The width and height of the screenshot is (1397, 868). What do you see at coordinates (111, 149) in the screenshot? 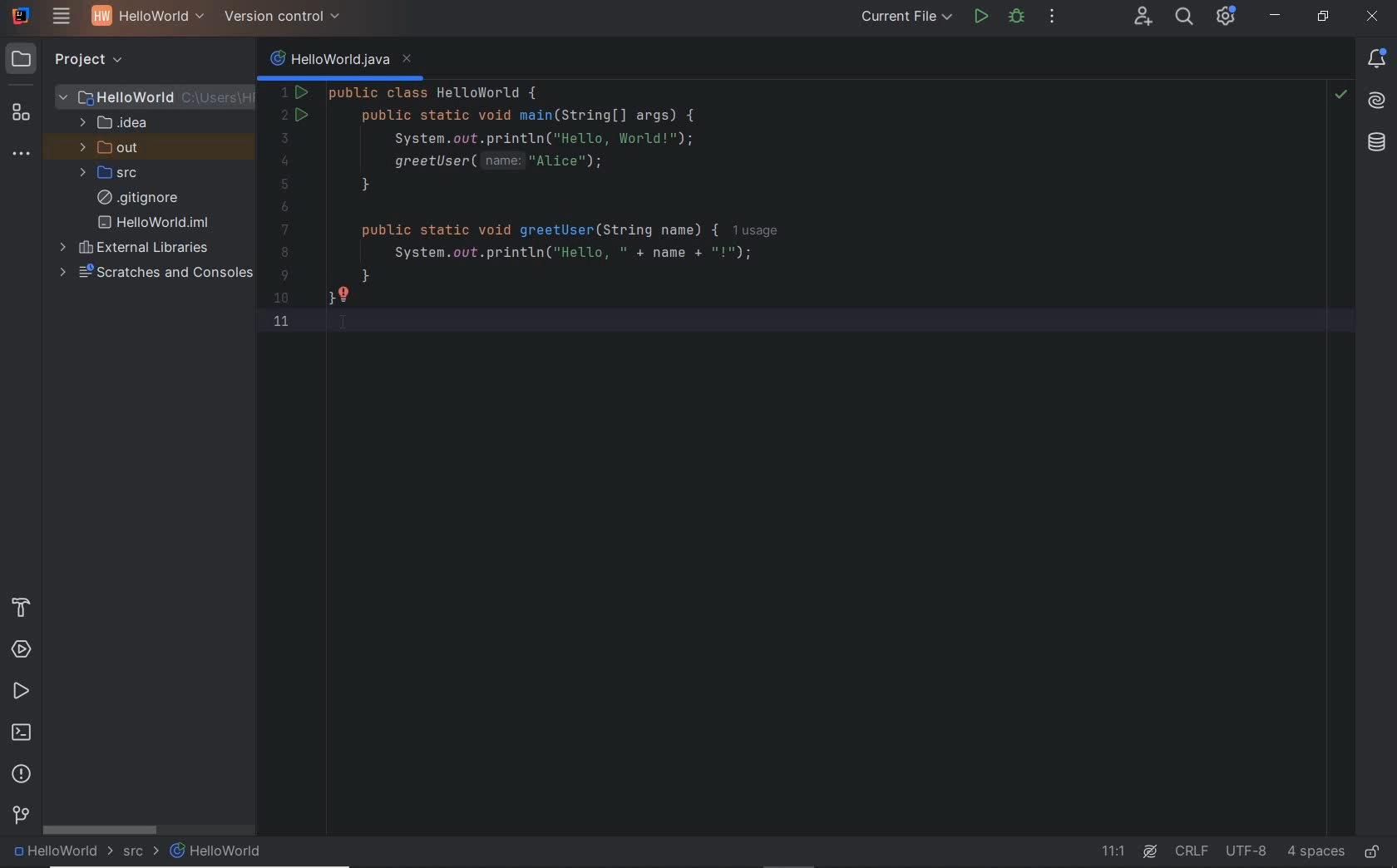
I see `out (folder)` at bounding box center [111, 149].